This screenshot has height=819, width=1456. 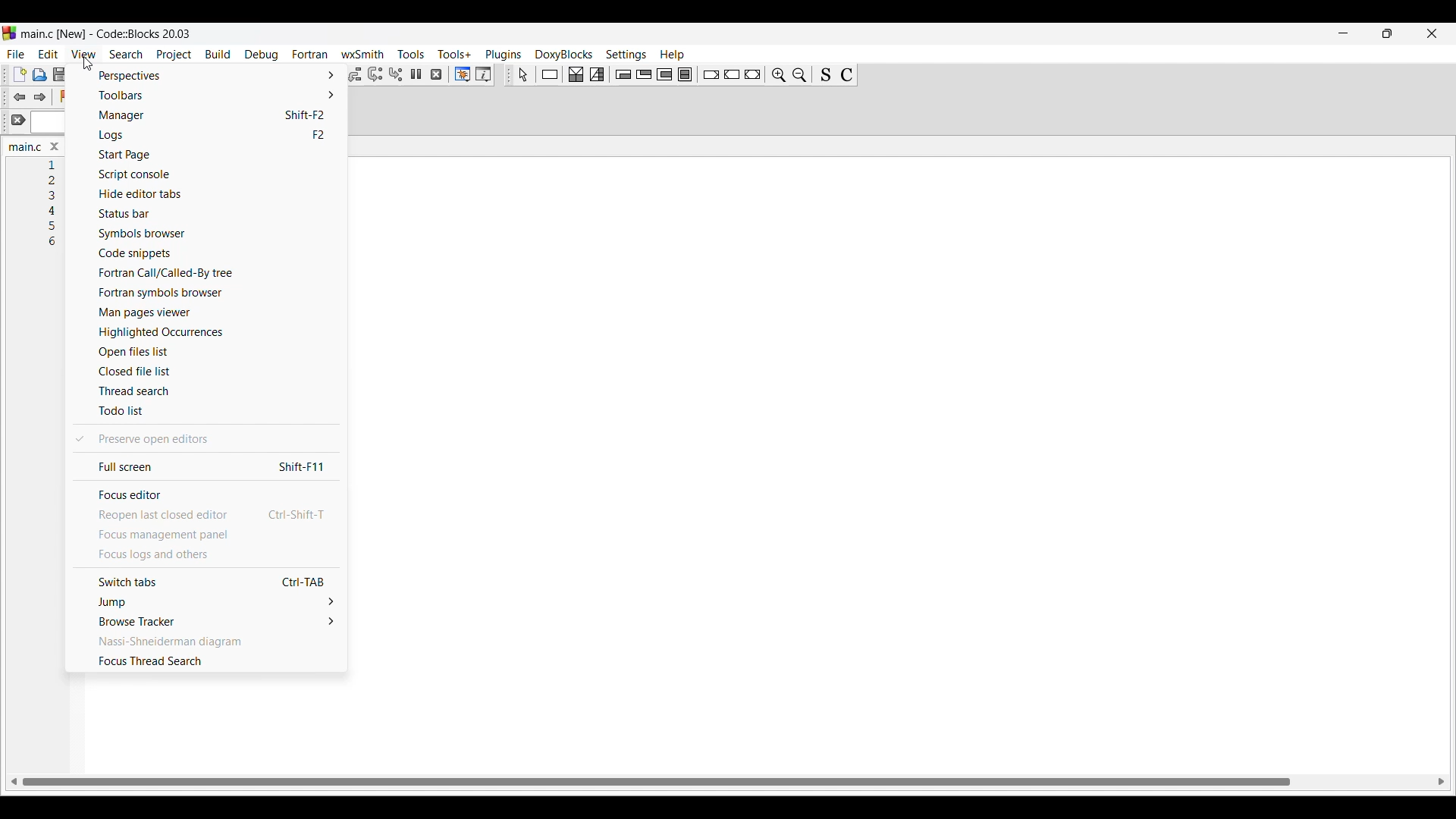 I want to click on Todo list, so click(x=206, y=412).